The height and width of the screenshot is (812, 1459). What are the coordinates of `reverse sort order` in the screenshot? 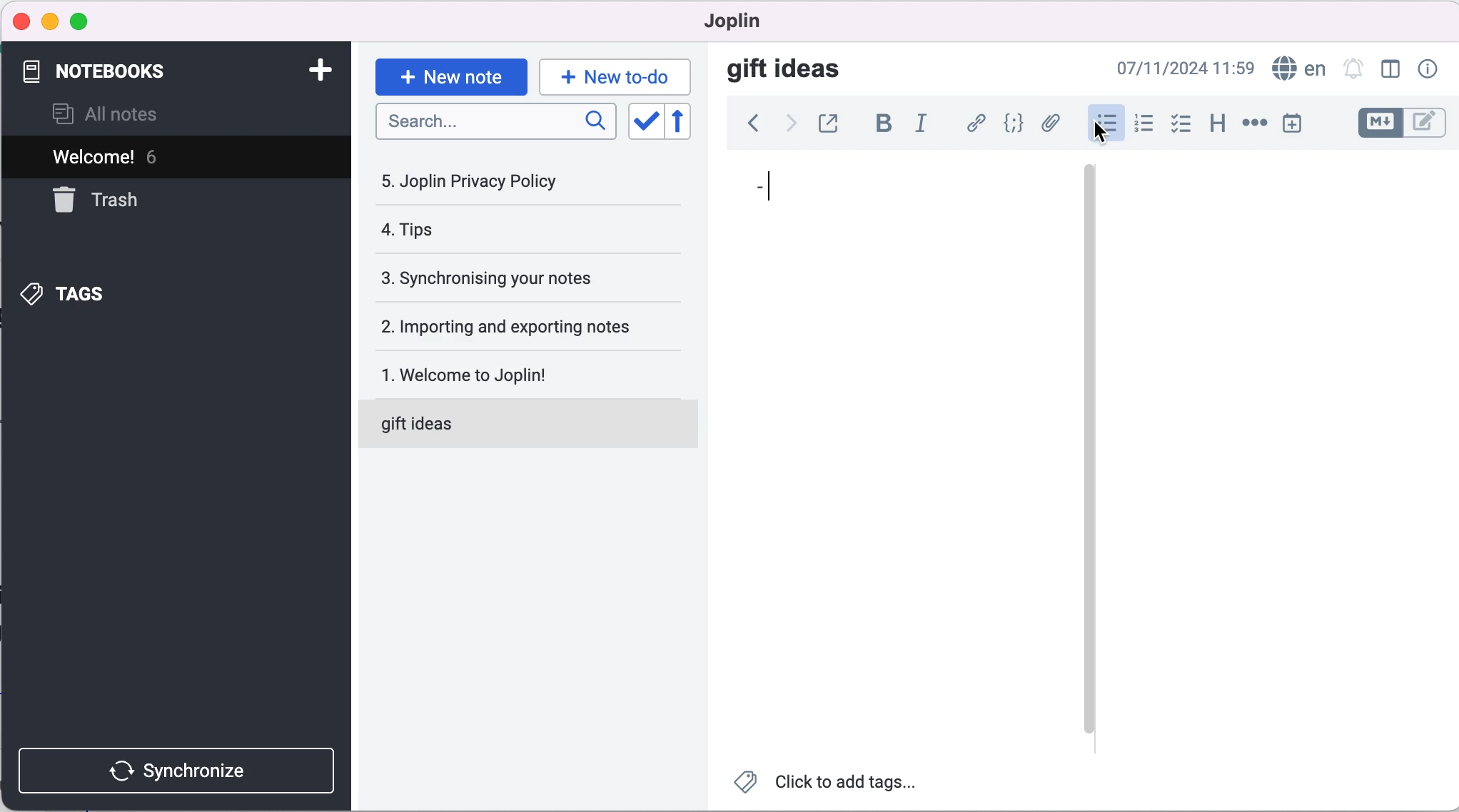 It's located at (682, 122).